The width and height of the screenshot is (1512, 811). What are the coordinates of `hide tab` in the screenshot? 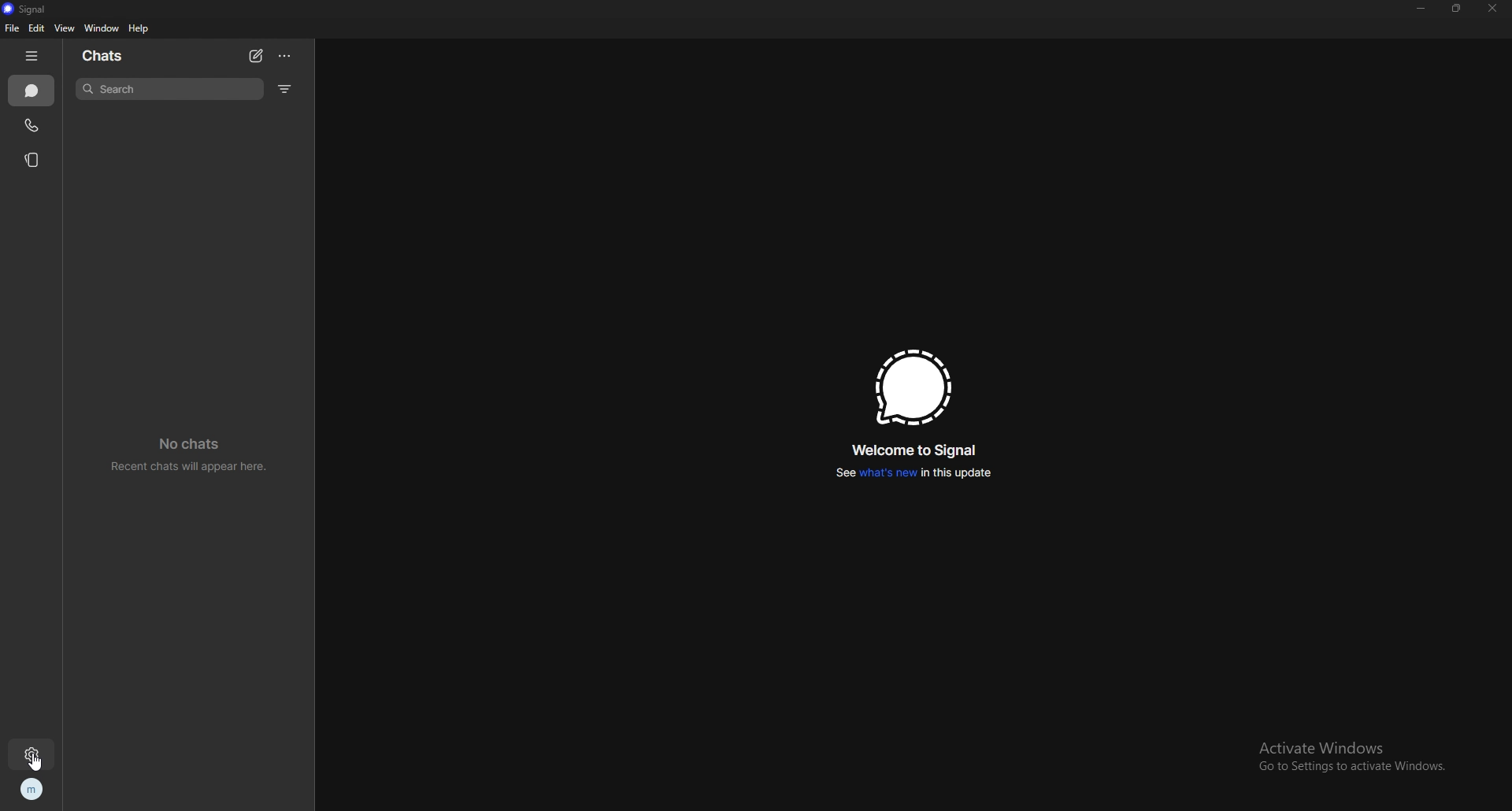 It's located at (31, 57).